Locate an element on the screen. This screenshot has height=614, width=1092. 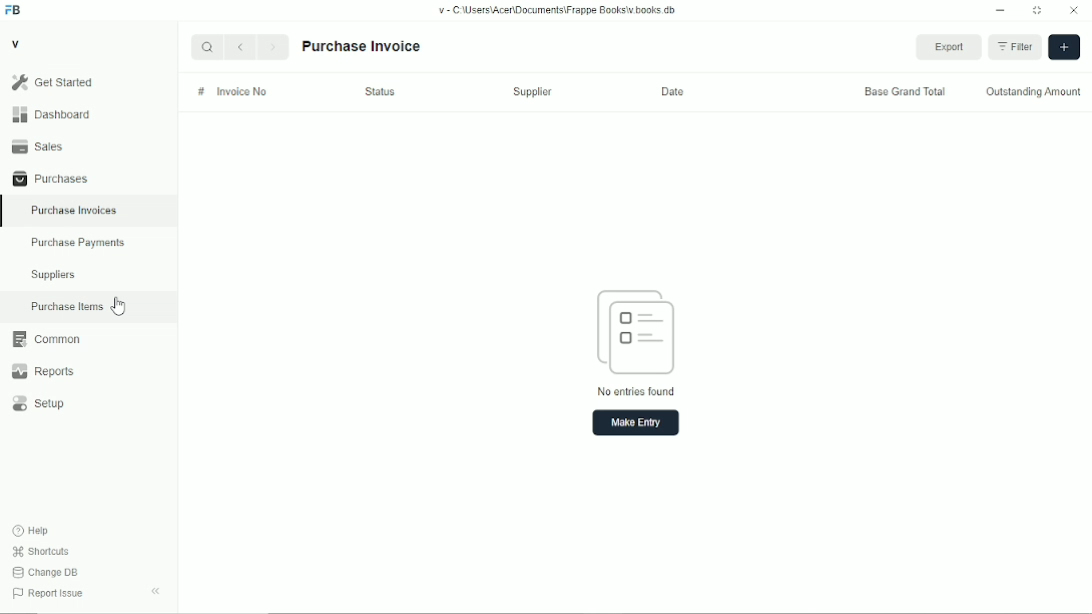
Minimize is located at coordinates (1000, 10).